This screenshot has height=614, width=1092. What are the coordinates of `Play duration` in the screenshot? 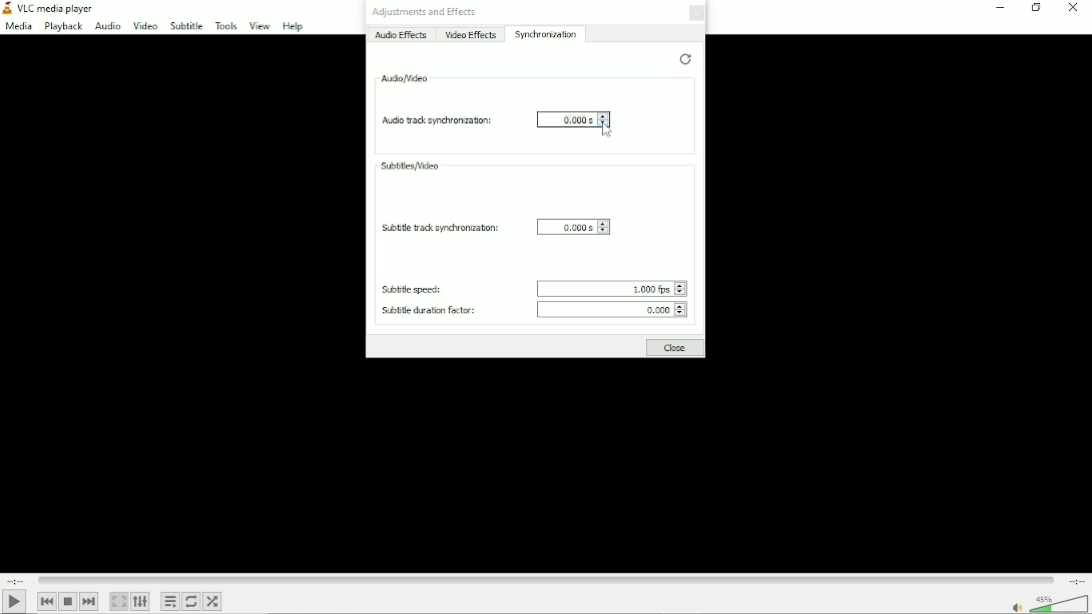 It's located at (548, 580).